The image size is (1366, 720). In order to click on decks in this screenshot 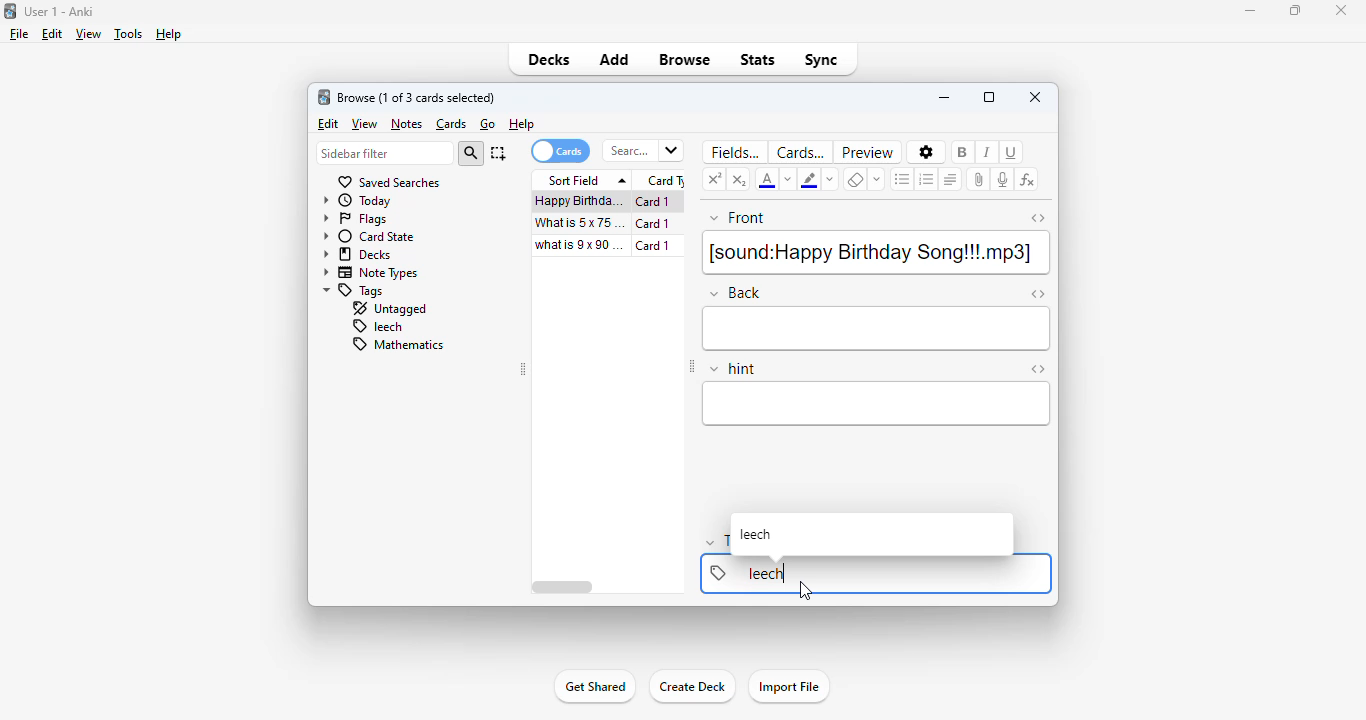, I will do `click(357, 255)`.